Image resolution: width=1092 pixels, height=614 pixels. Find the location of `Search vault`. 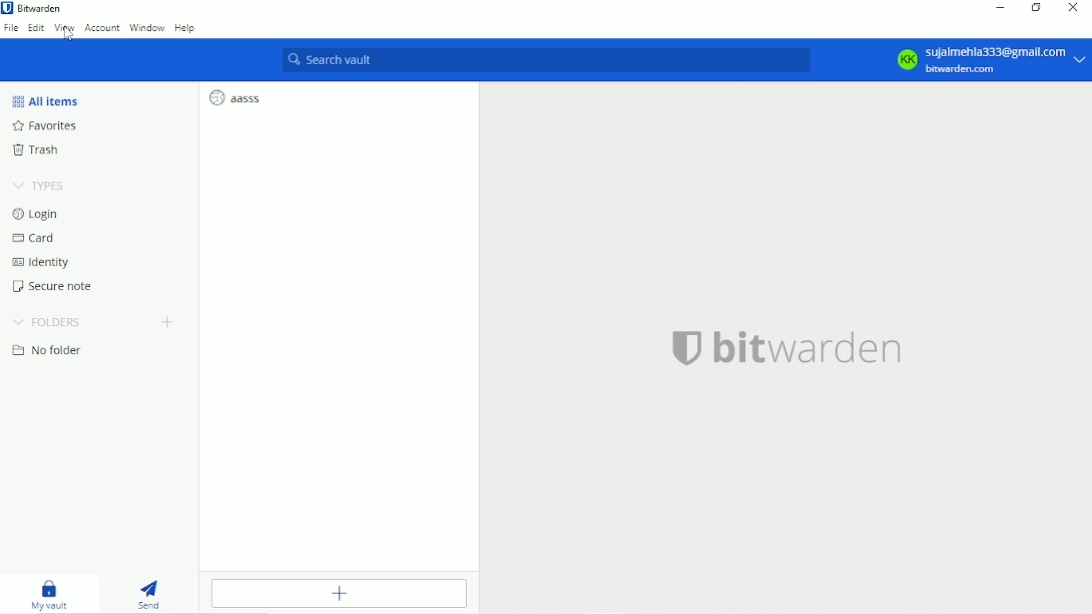

Search vault is located at coordinates (545, 60).